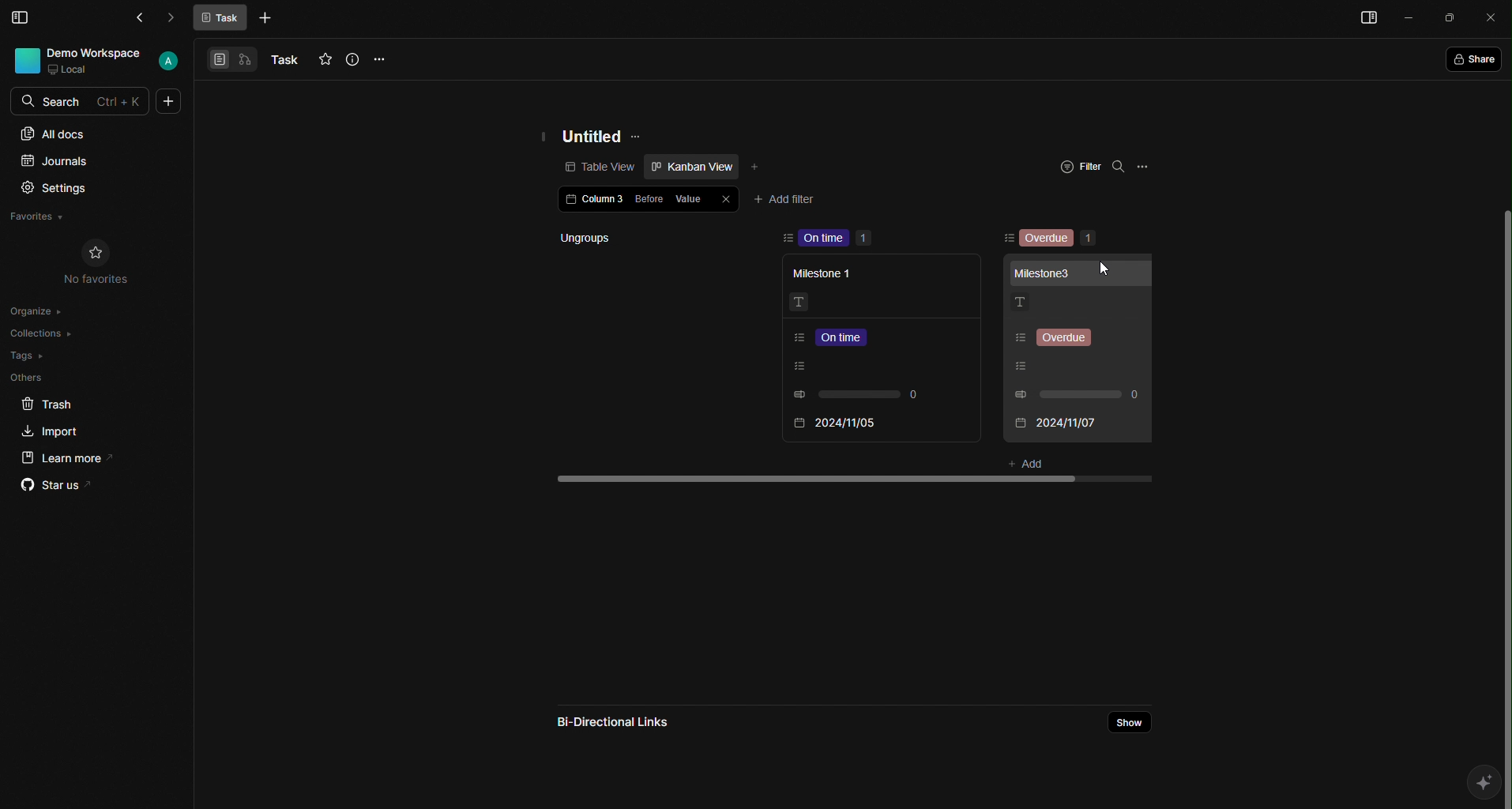  Describe the element at coordinates (840, 337) in the screenshot. I see `Listing` at that location.